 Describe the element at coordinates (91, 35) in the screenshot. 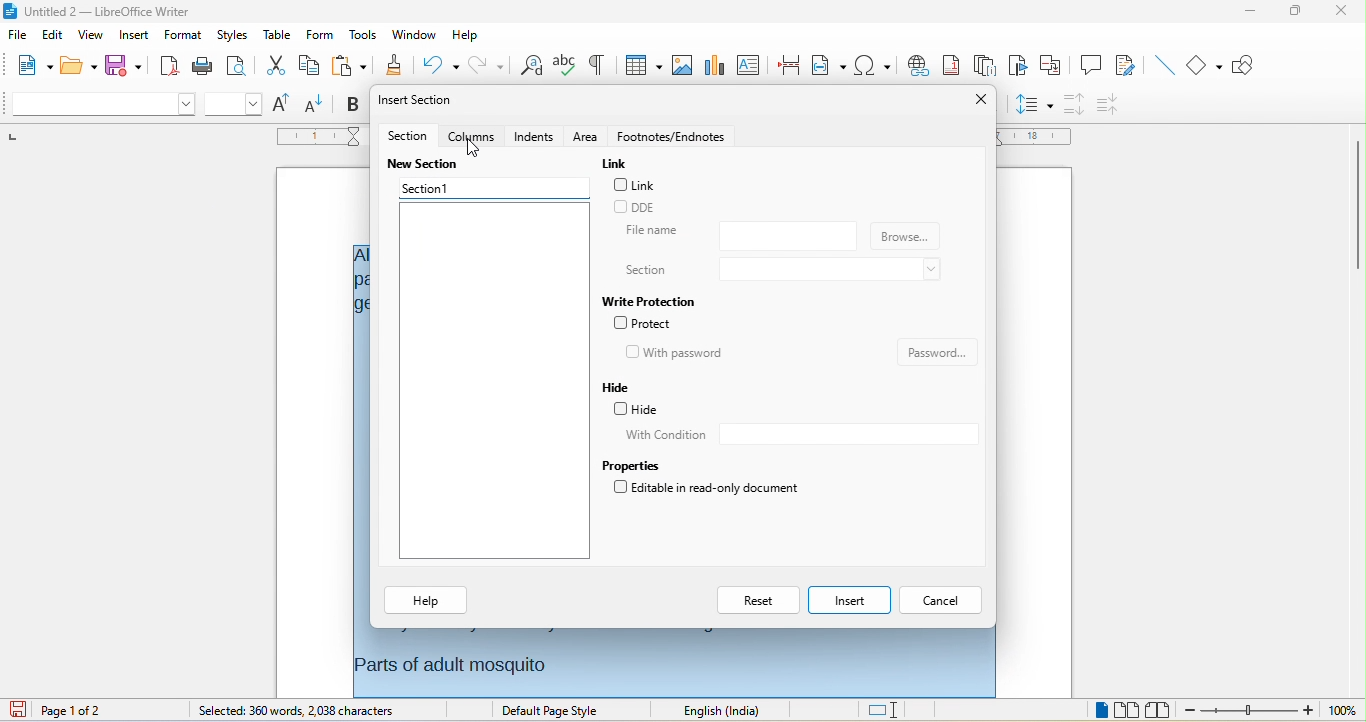

I see `view` at that location.